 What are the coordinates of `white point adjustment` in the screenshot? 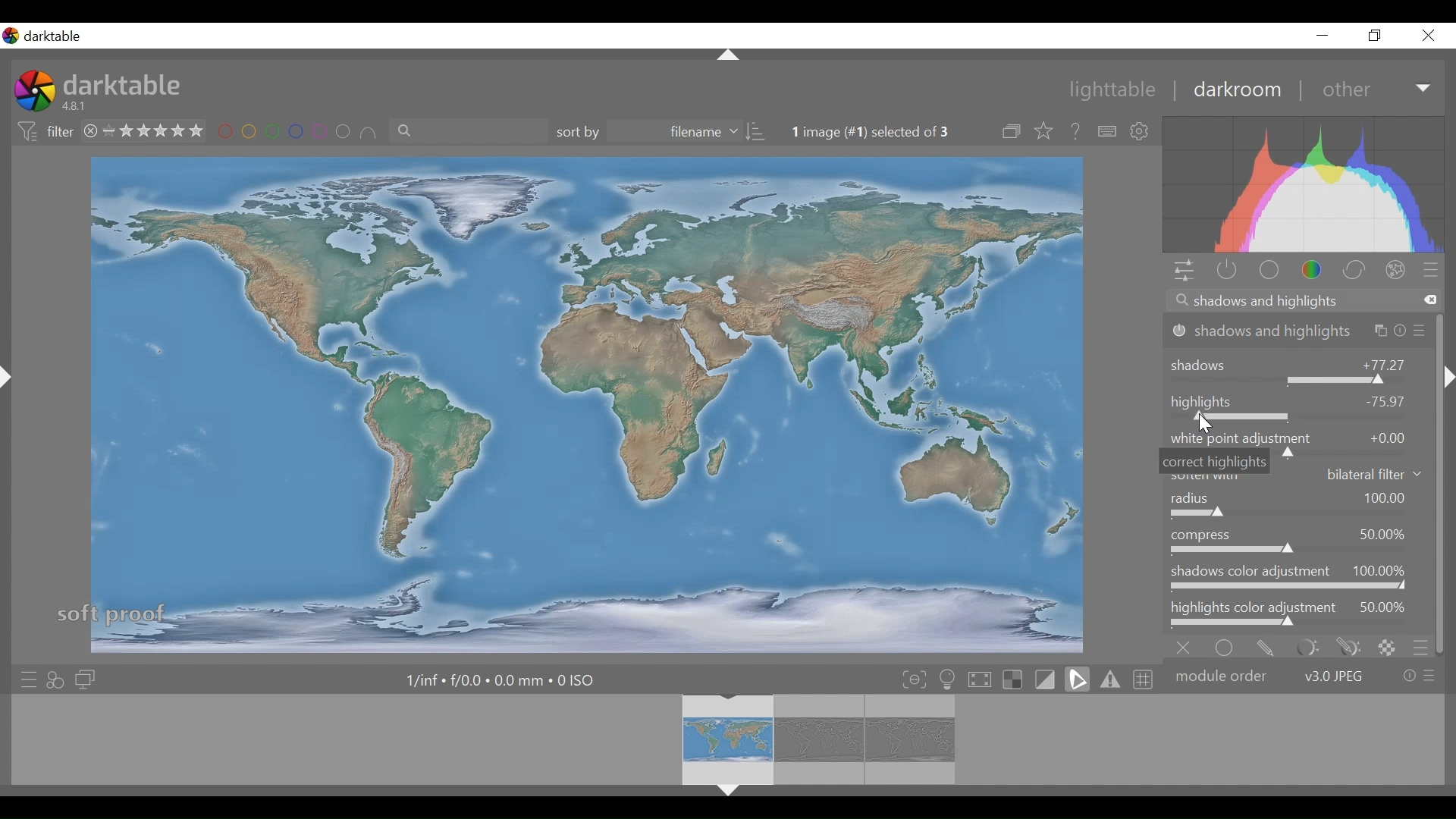 It's located at (1298, 438).